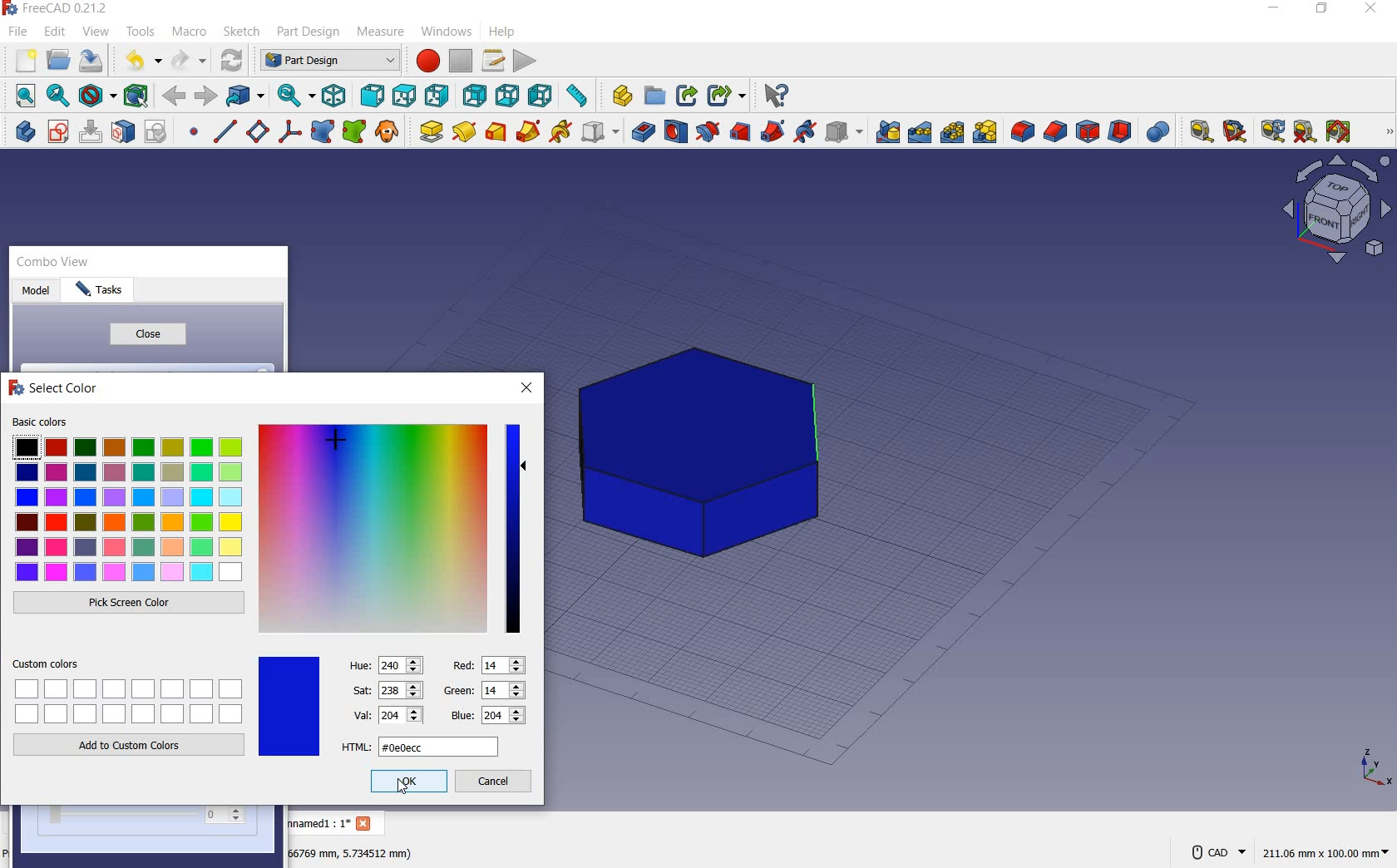 The image size is (1397, 868). I want to click on measure angular, so click(1236, 133).